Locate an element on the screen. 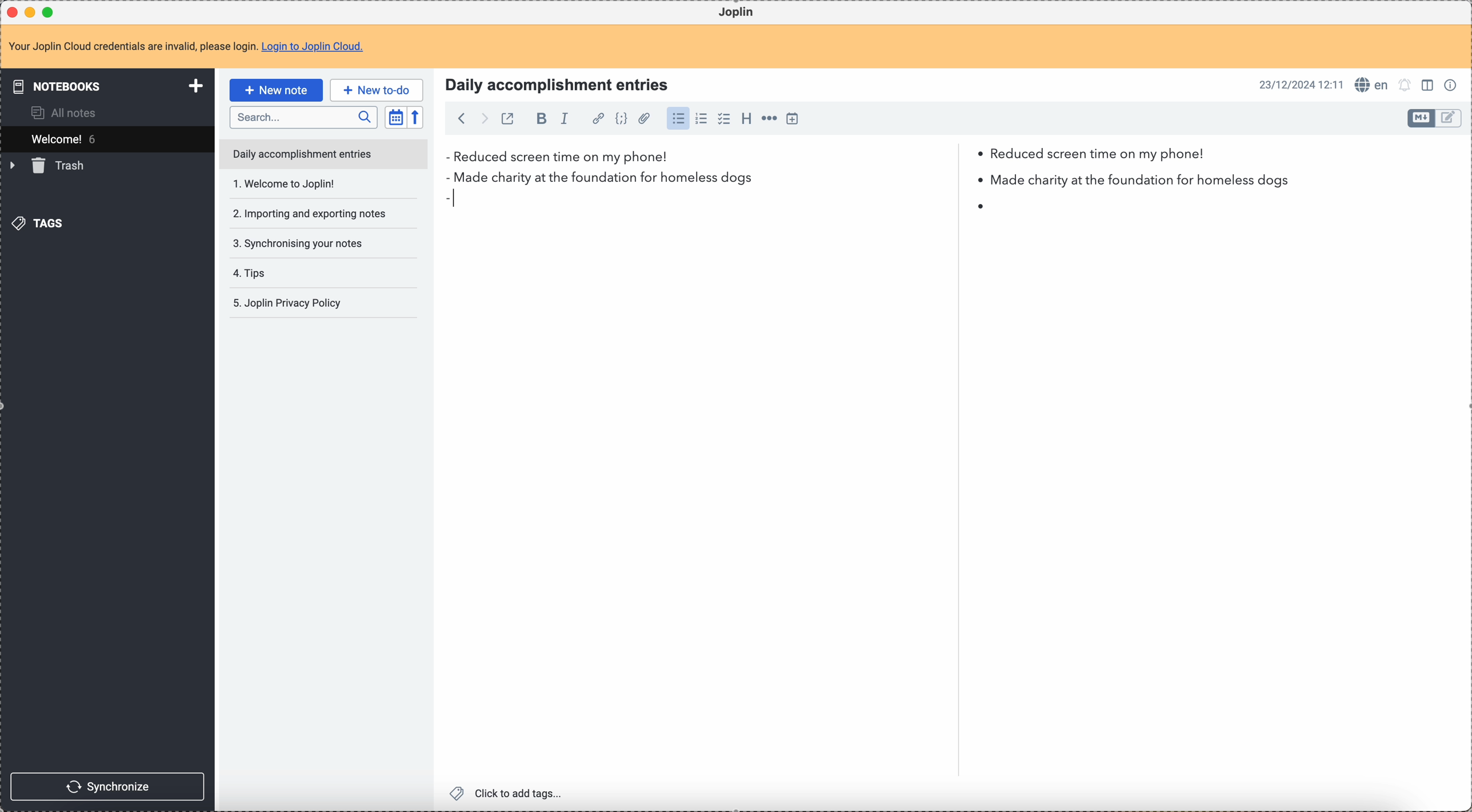 The image size is (1472, 812). spell checker is located at coordinates (1372, 85).